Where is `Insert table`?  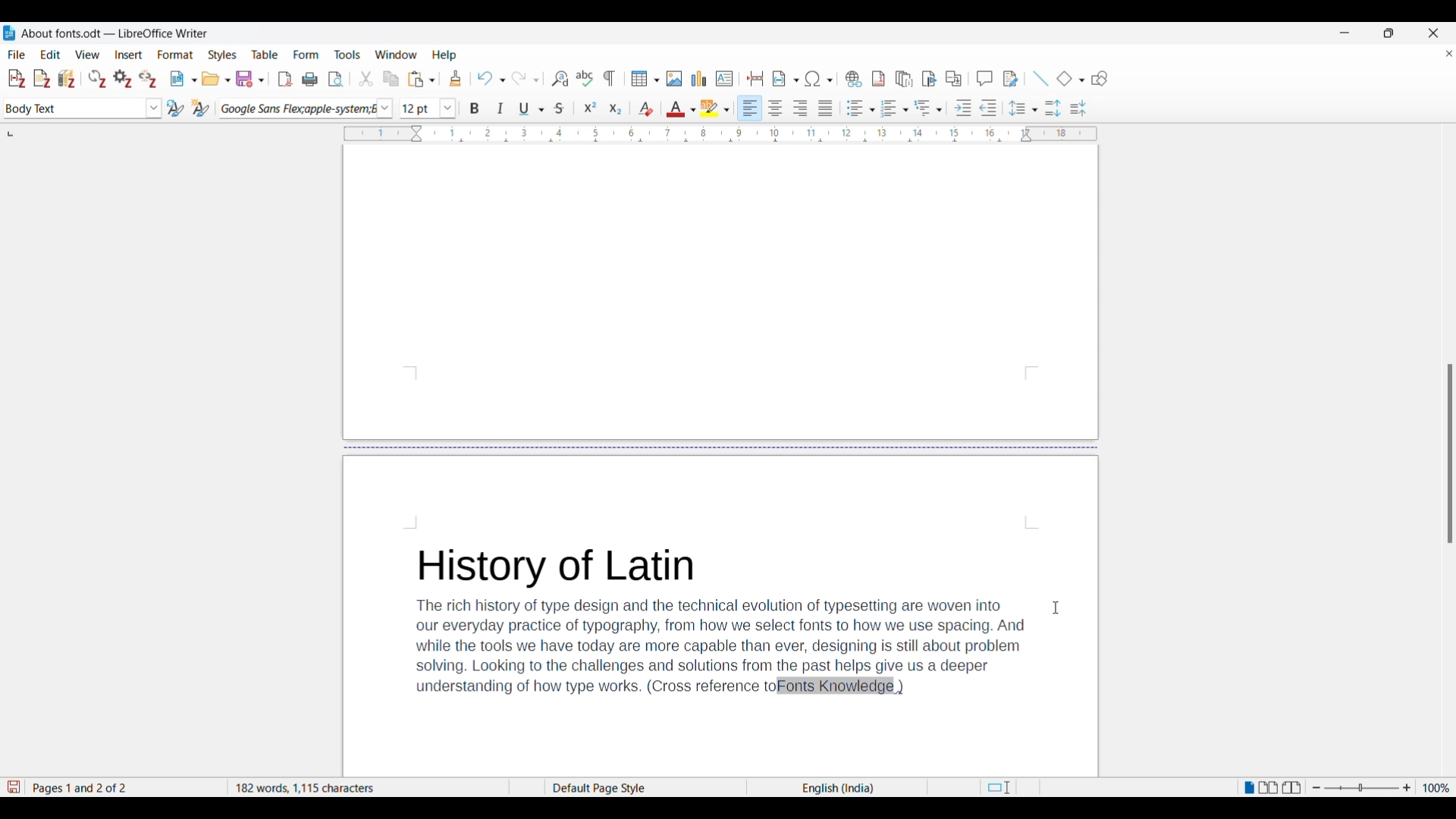
Insert table is located at coordinates (645, 79).